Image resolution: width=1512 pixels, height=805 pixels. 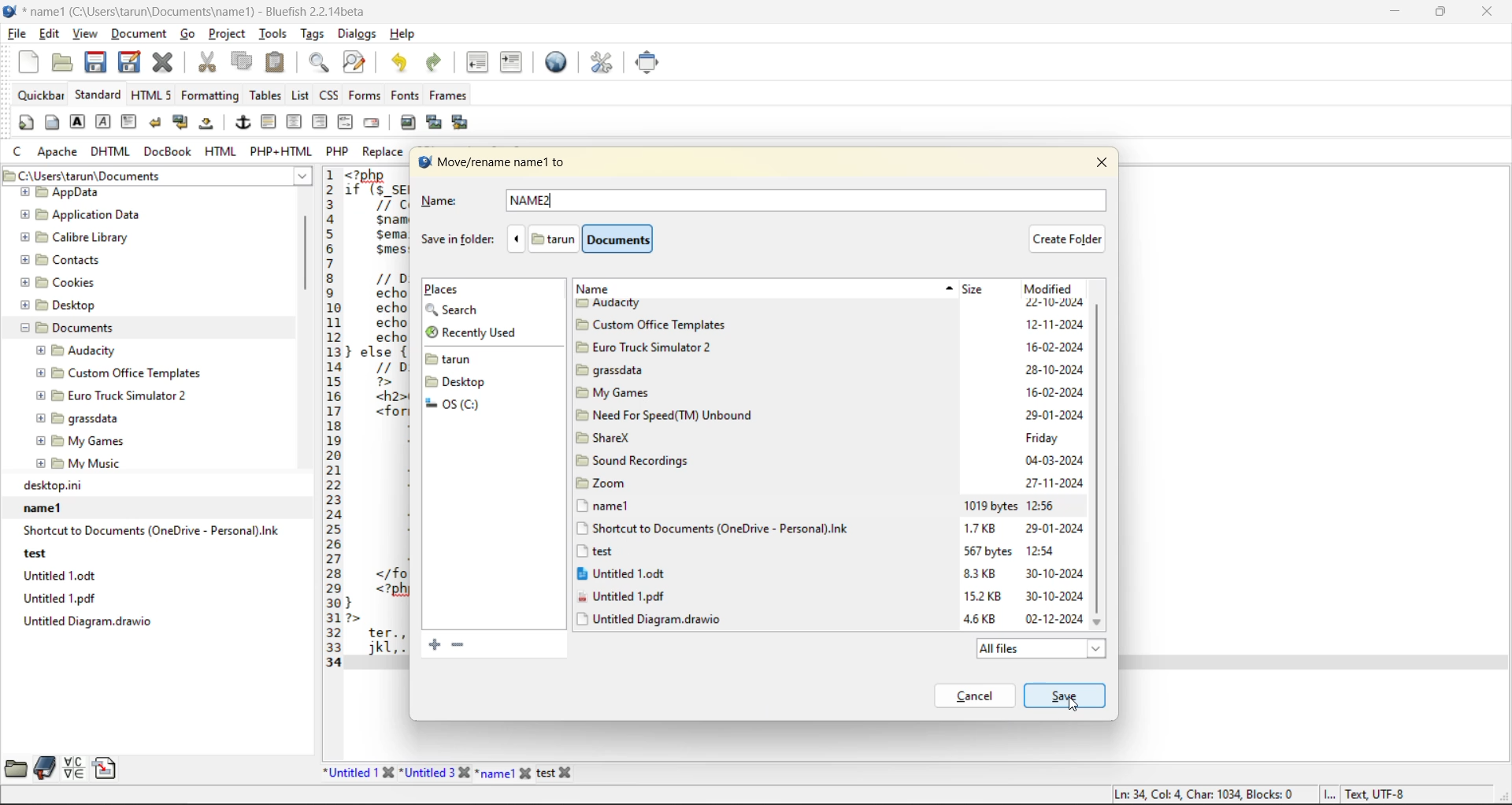 What do you see at coordinates (79, 122) in the screenshot?
I see `strong` at bounding box center [79, 122].